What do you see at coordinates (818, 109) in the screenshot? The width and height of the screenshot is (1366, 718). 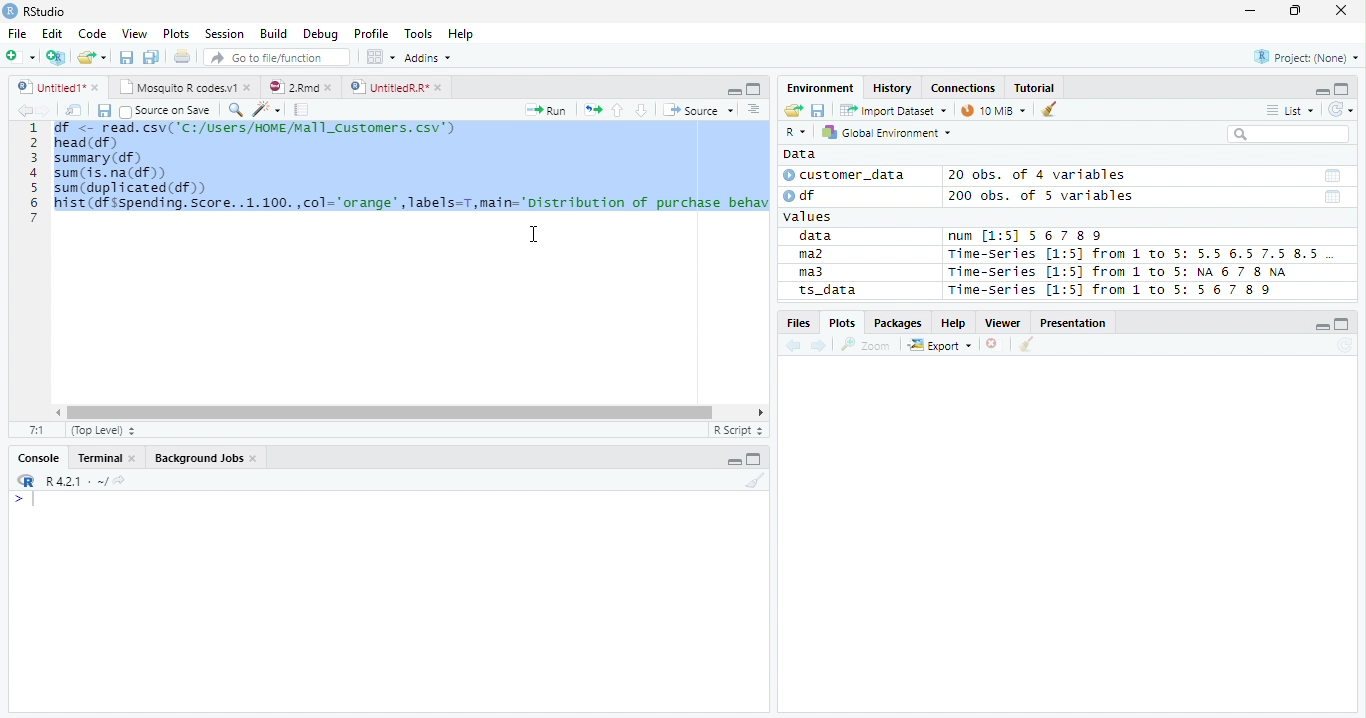 I see `Save` at bounding box center [818, 109].